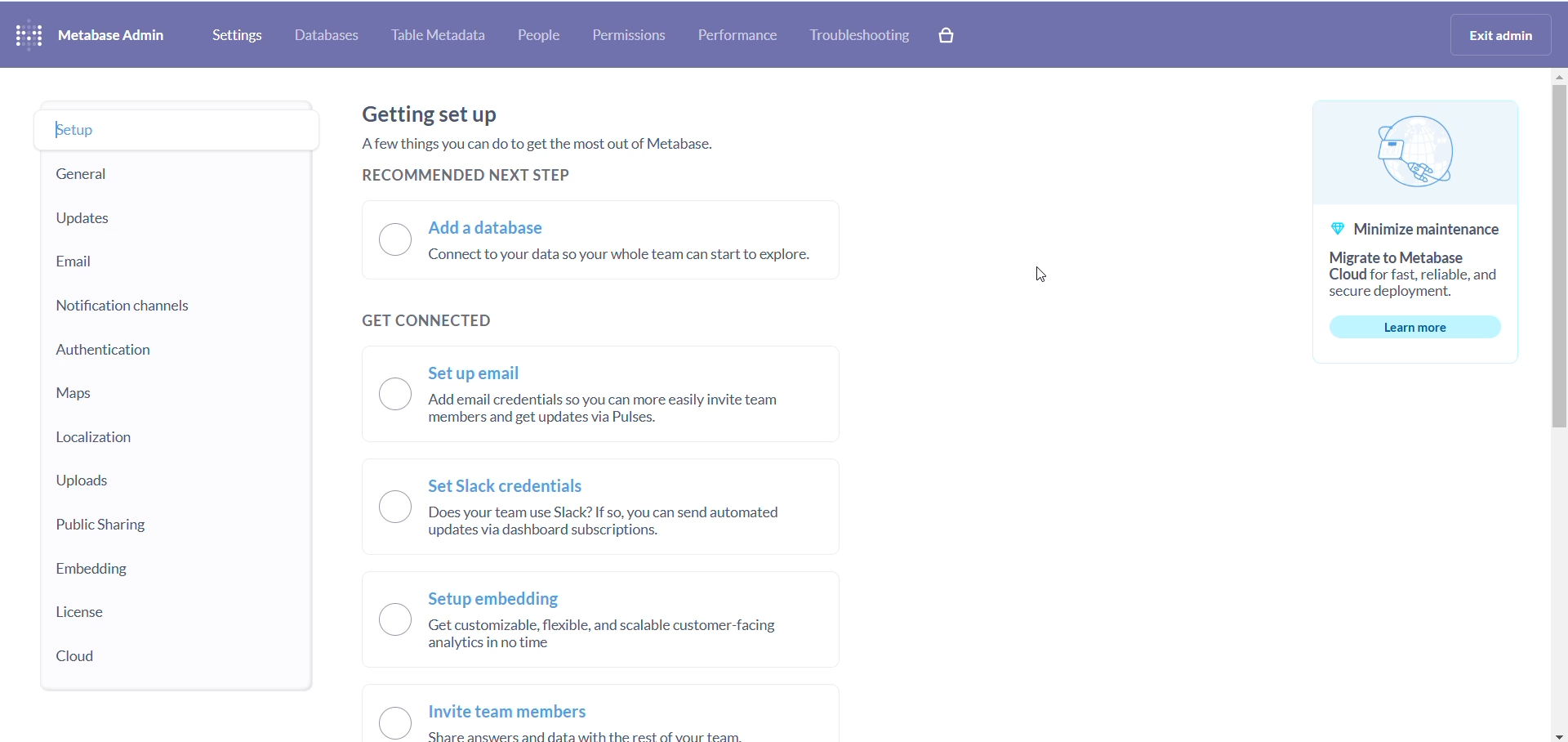  I want to click on getting set up, so click(435, 116).